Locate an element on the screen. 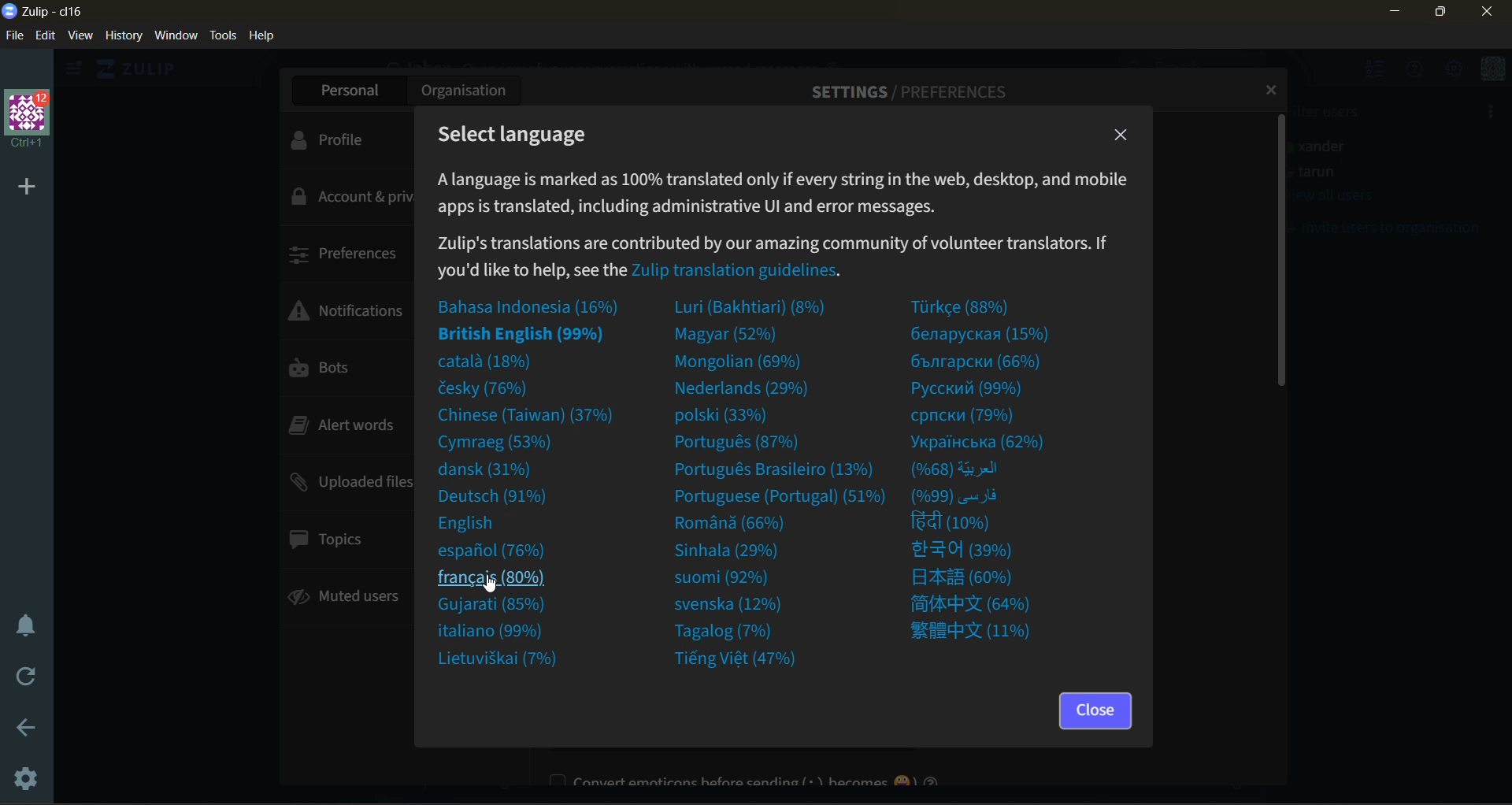 The height and width of the screenshot is (805, 1512). deutsch is located at coordinates (500, 498).